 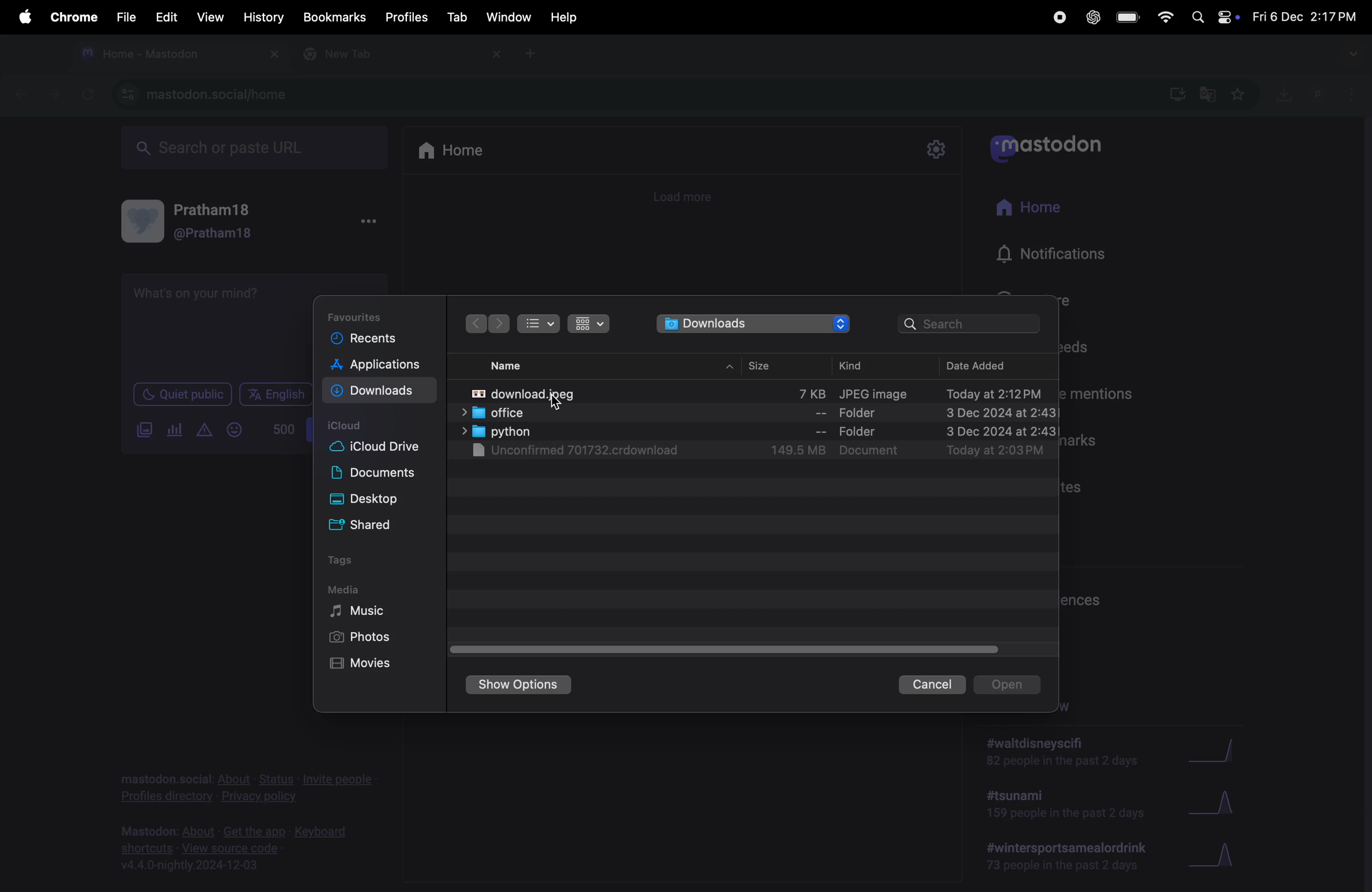 What do you see at coordinates (476, 322) in the screenshot?
I see `next ` at bounding box center [476, 322].